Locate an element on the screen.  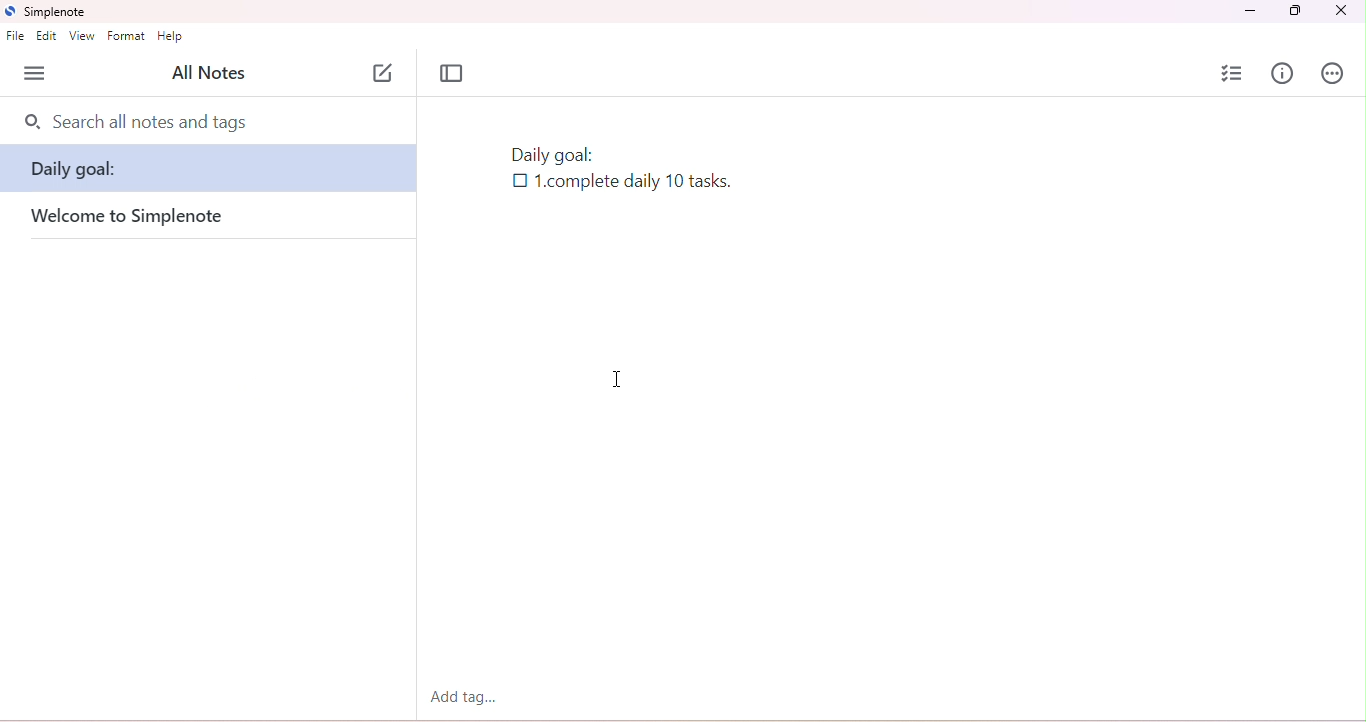
file is located at coordinates (16, 36).